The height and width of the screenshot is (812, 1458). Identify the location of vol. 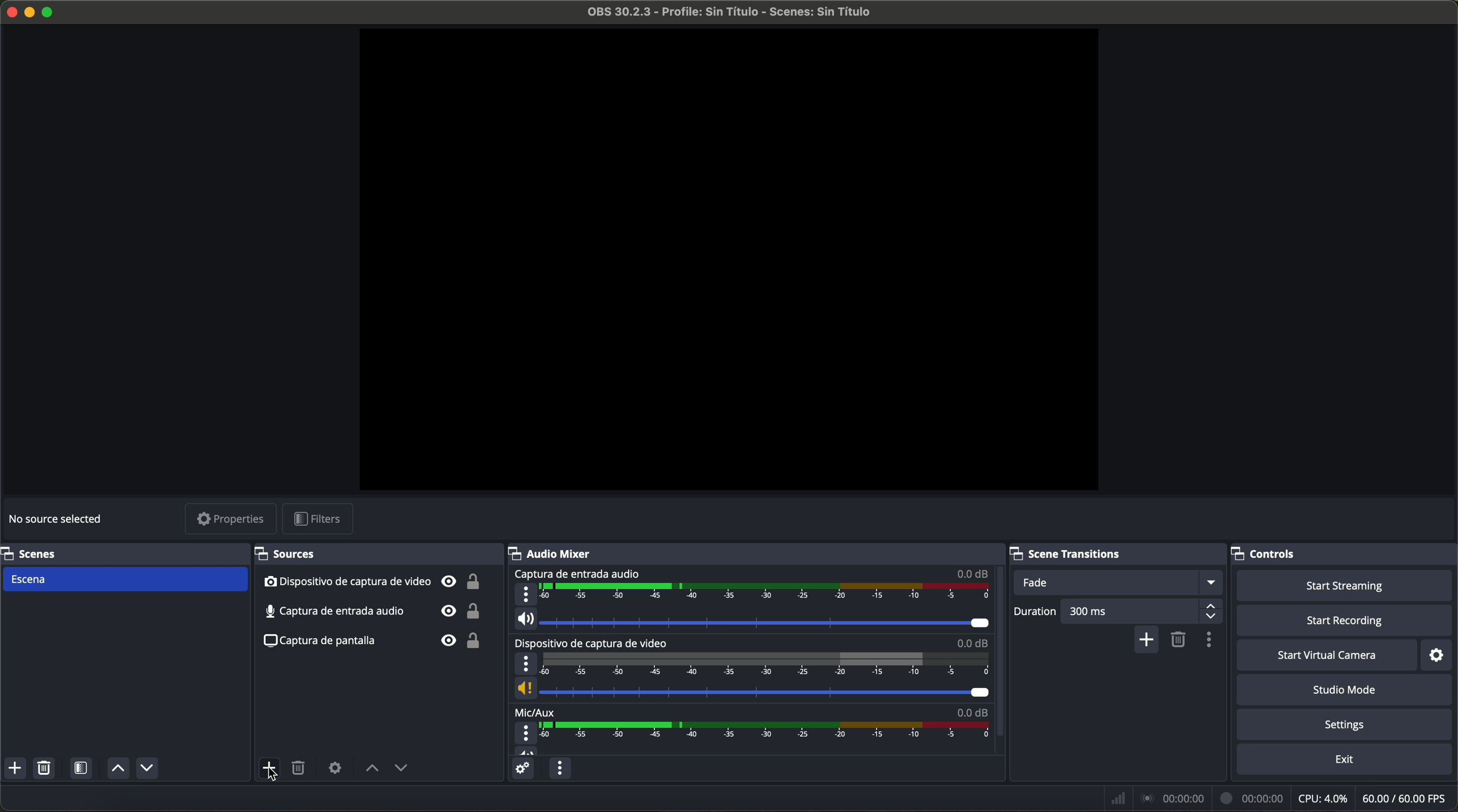
(752, 619).